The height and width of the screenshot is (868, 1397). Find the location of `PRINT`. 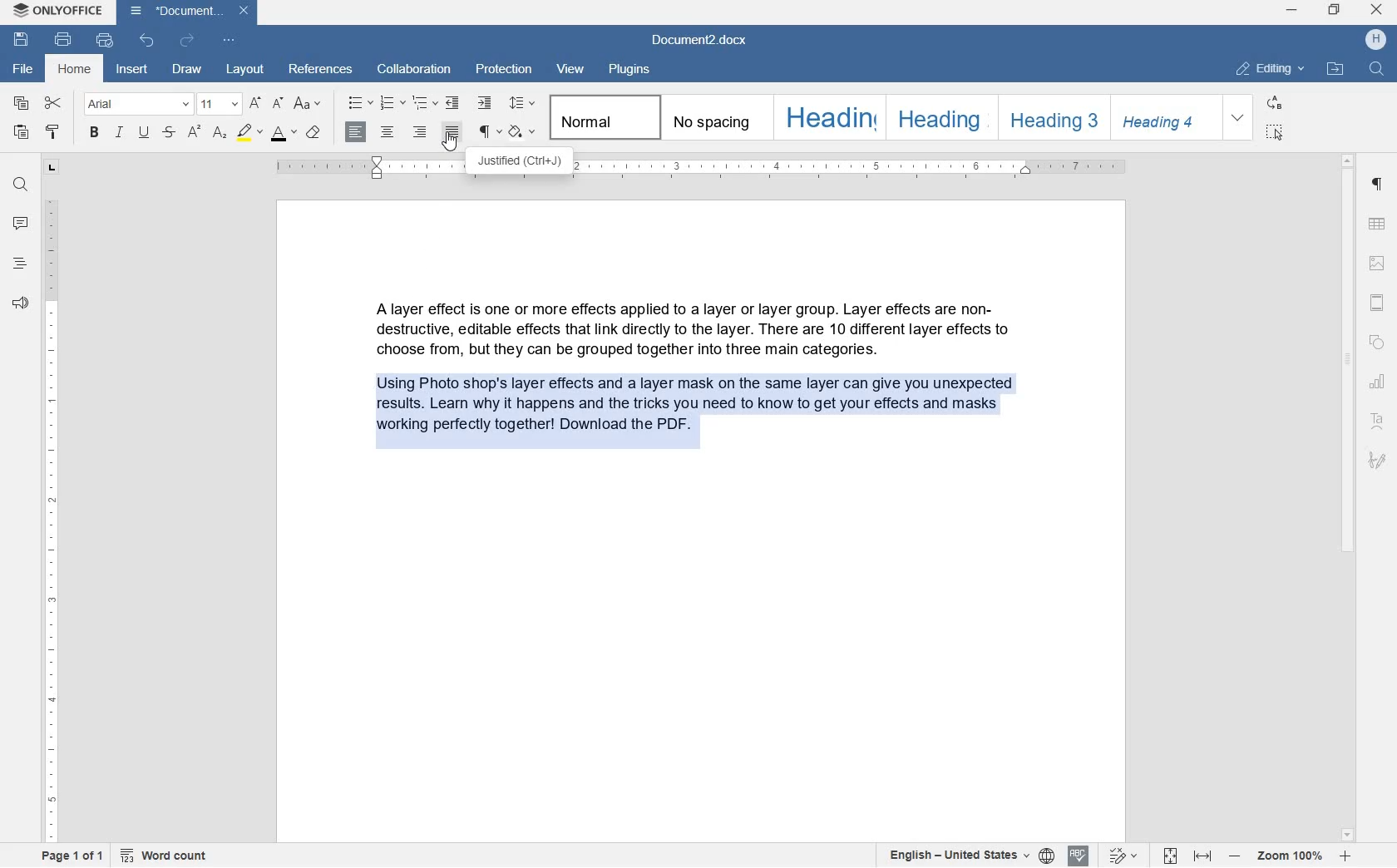

PRINT is located at coordinates (64, 39).